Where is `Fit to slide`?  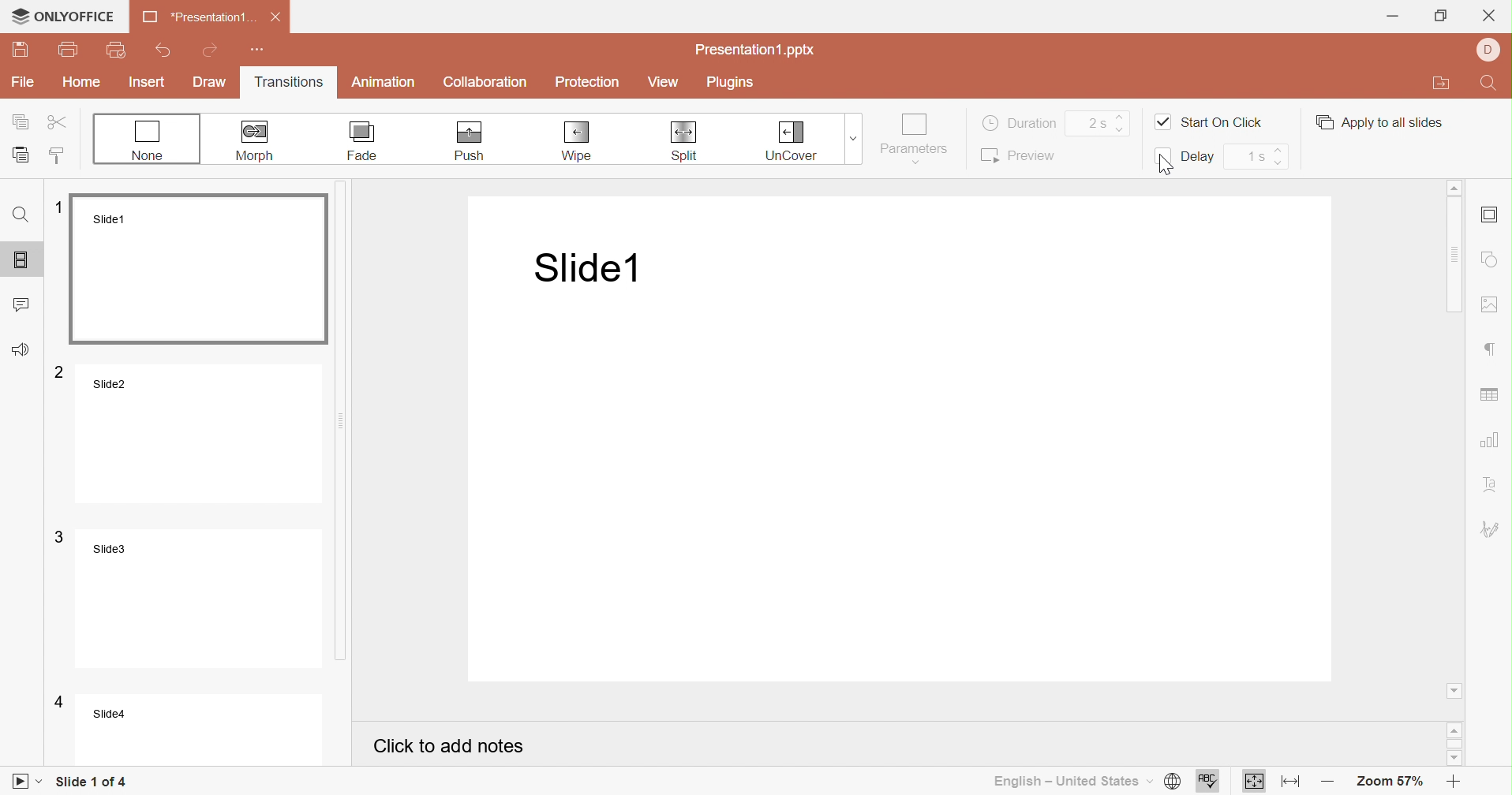 Fit to slide is located at coordinates (1253, 781).